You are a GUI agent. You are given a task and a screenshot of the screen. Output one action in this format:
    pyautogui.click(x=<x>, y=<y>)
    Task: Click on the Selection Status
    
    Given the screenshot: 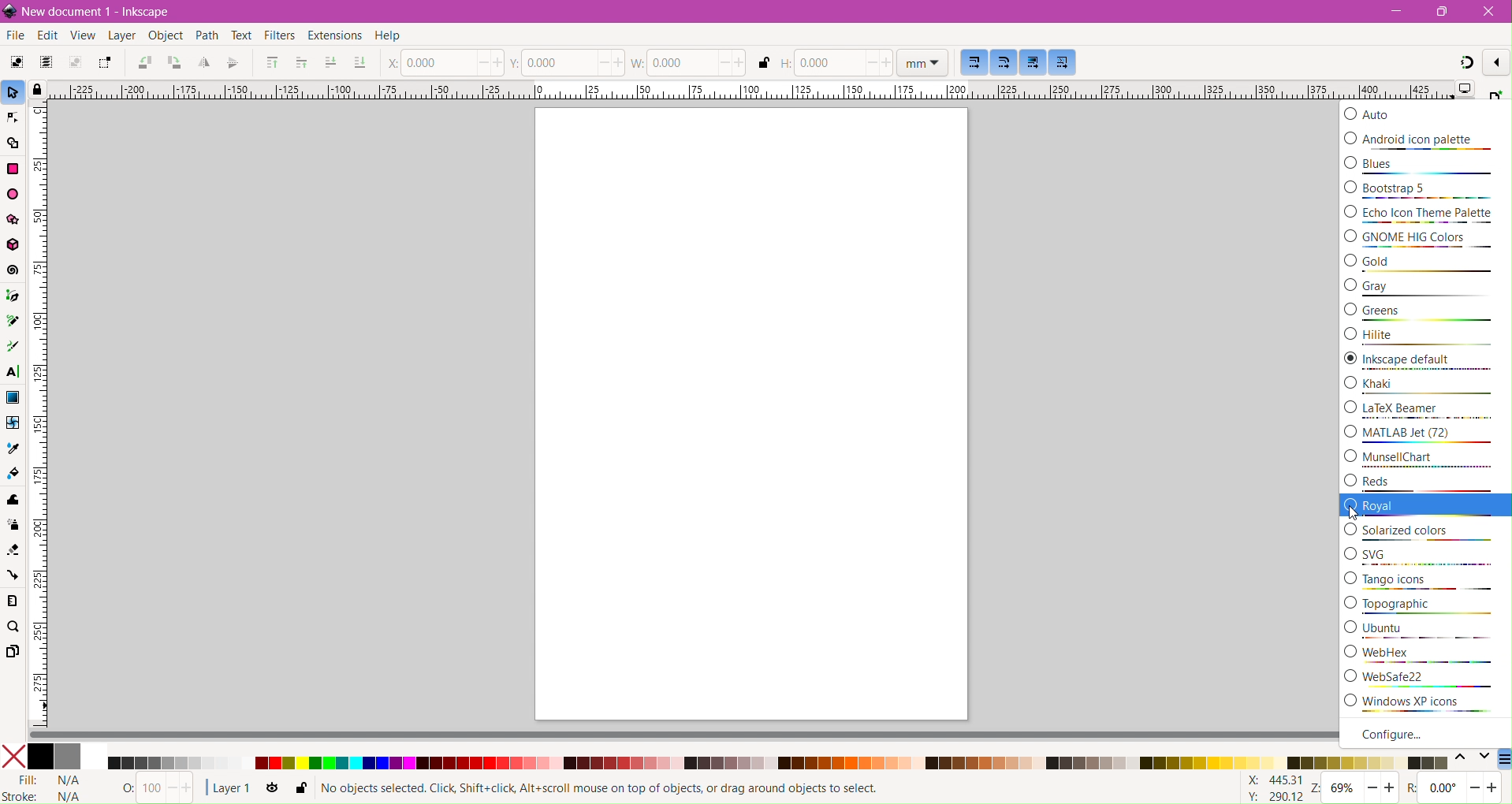 What is the action you would take?
    pyautogui.click(x=604, y=789)
    